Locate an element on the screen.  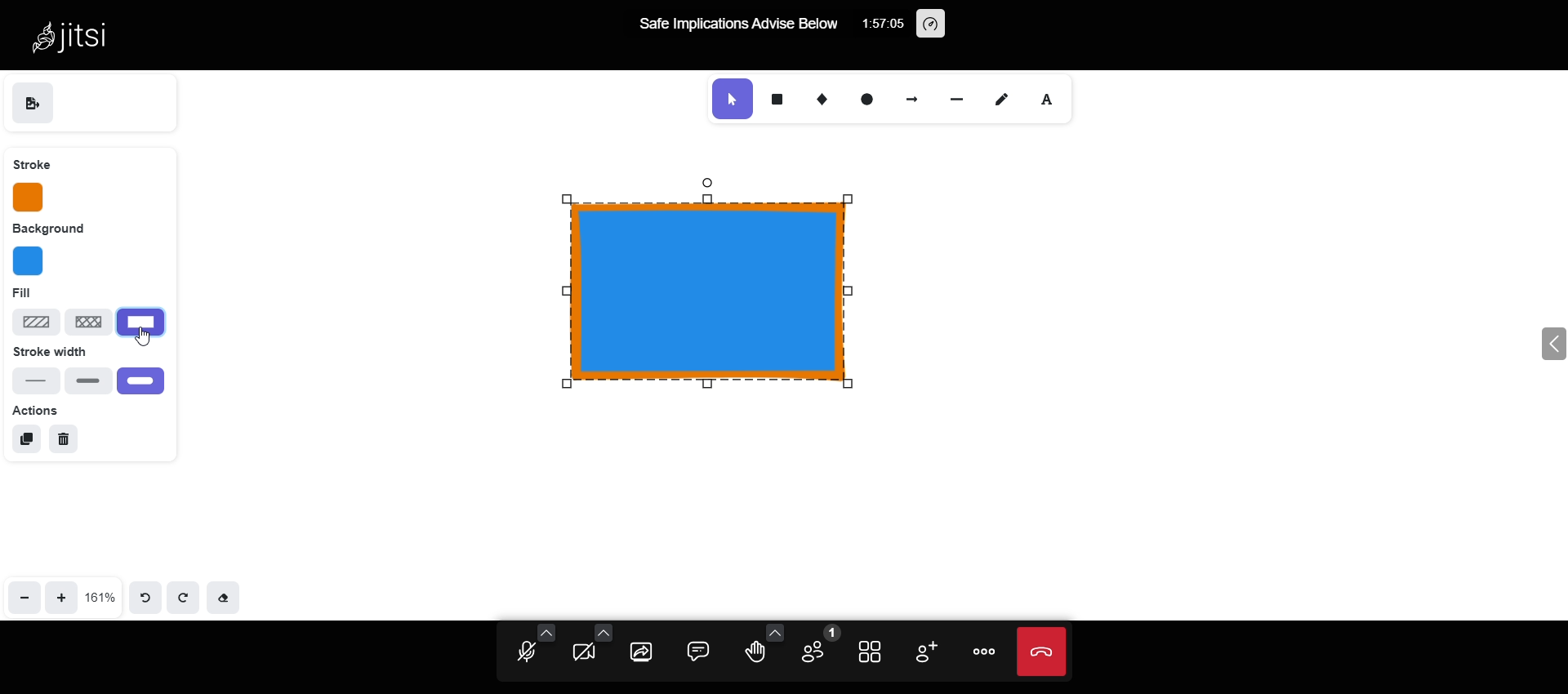
stroke width is located at coordinates (57, 352).